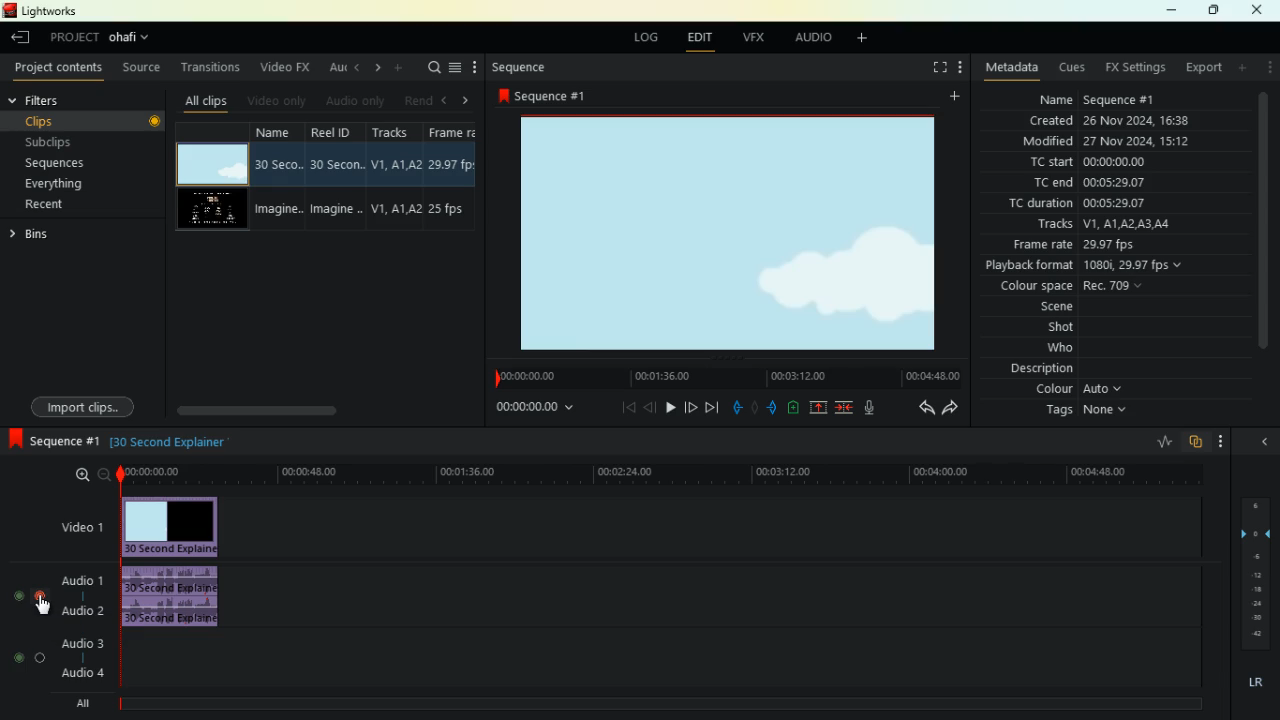  What do you see at coordinates (92, 122) in the screenshot?
I see `clips` at bounding box center [92, 122].